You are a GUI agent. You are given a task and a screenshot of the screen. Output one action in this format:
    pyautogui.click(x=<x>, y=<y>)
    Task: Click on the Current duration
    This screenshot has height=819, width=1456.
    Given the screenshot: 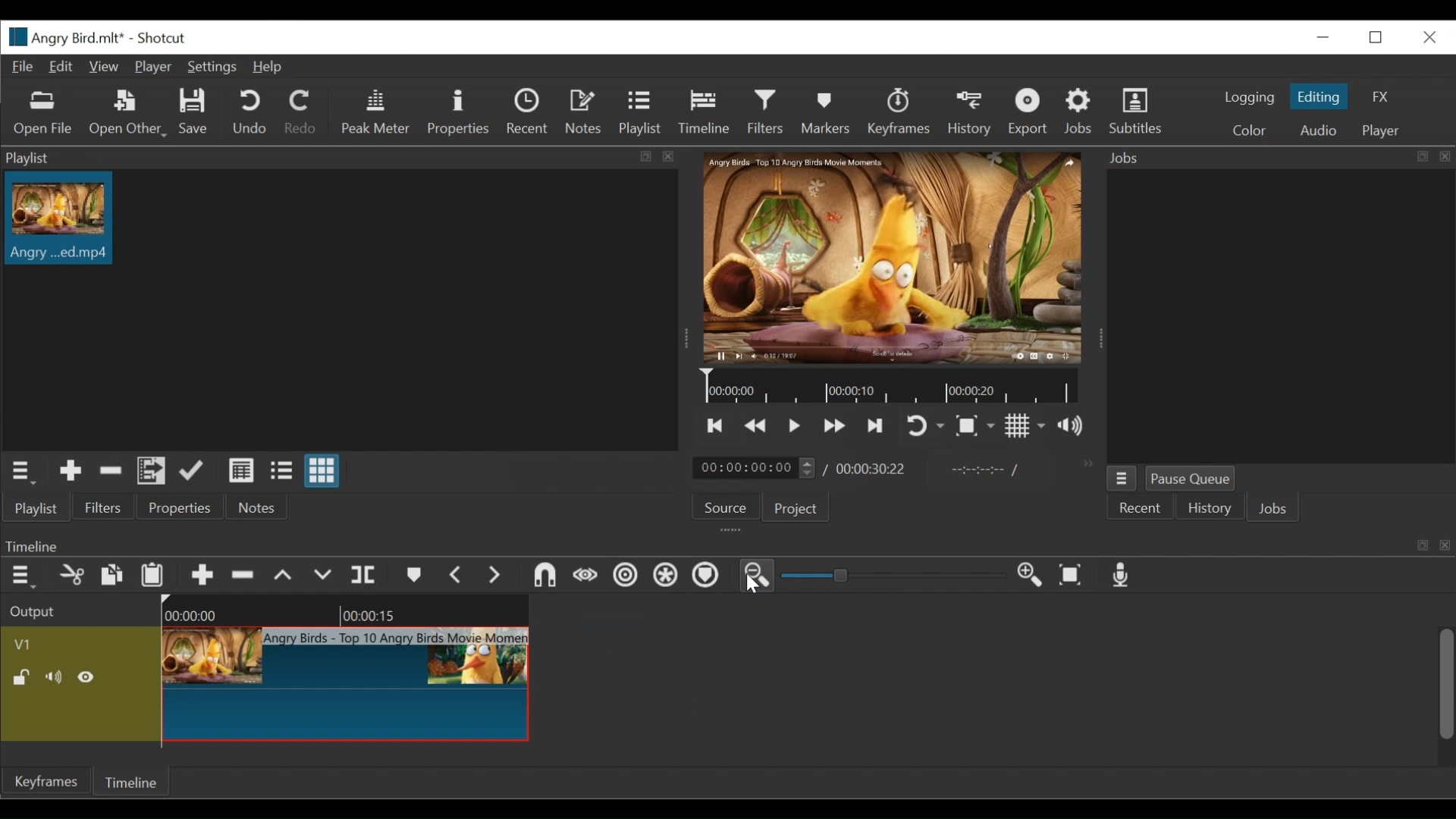 What is the action you would take?
    pyautogui.click(x=753, y=468)
    